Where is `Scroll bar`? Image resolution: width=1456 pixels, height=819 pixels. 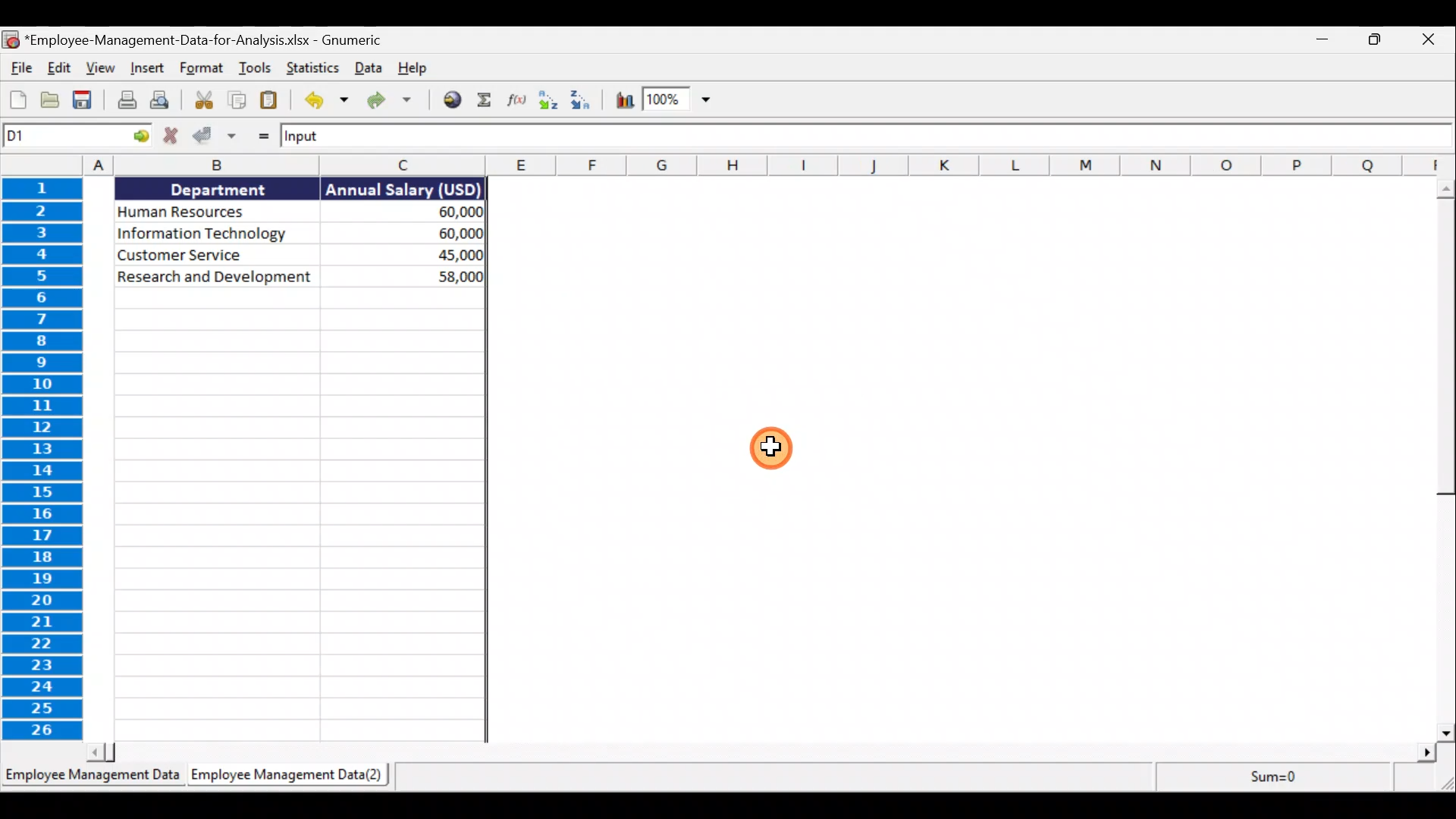
Scroll bar is located at coordinates (1446, 460).